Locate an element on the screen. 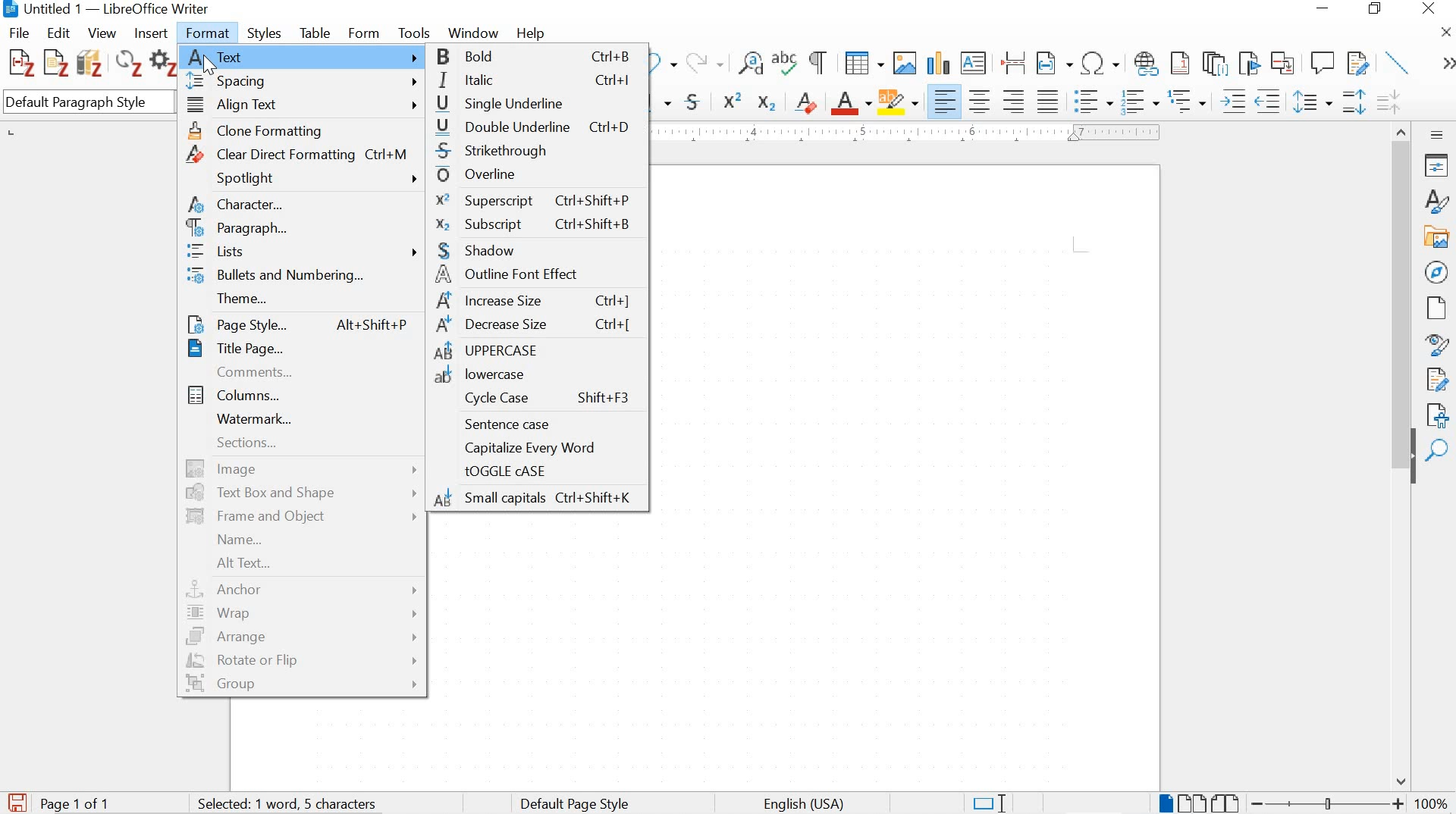  tools is located at coordinates (414, 32).